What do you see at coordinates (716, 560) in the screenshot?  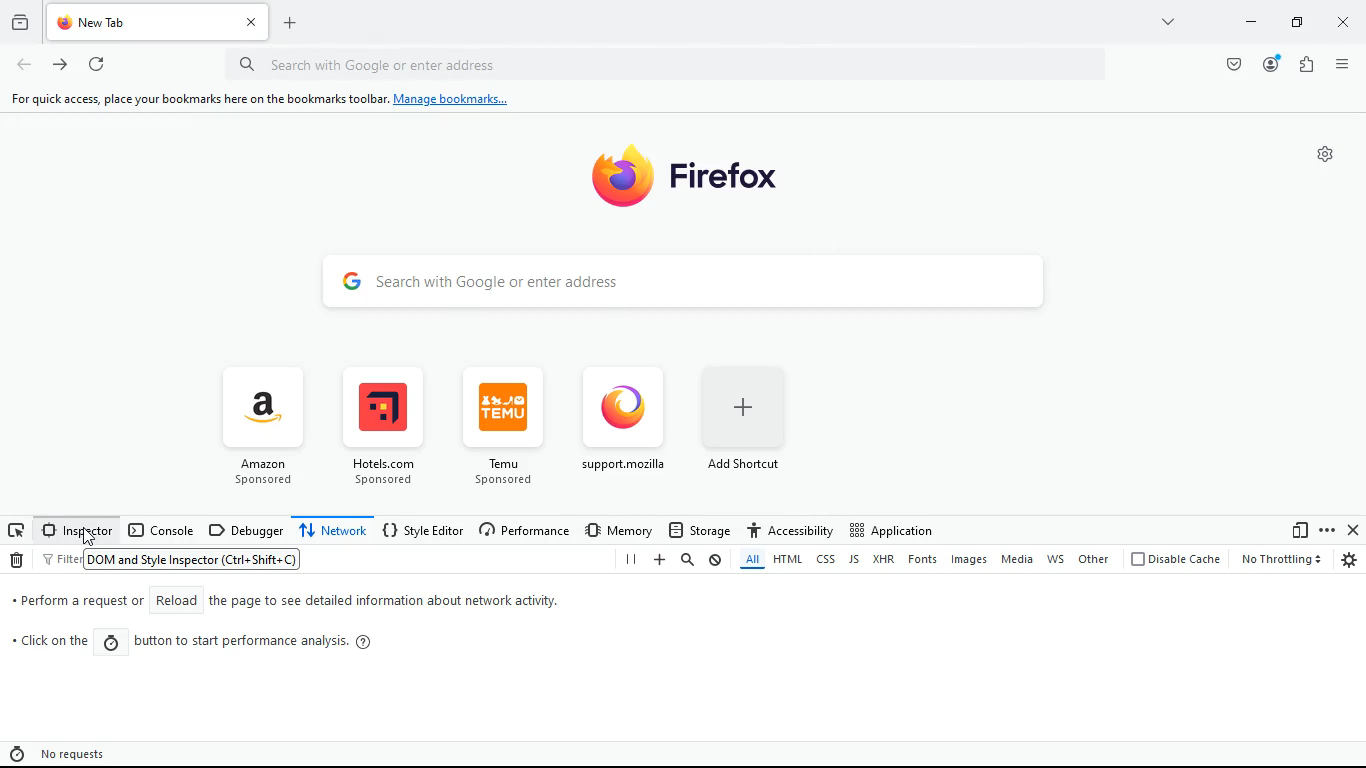 I see `block` at bounding box center [716, 560].